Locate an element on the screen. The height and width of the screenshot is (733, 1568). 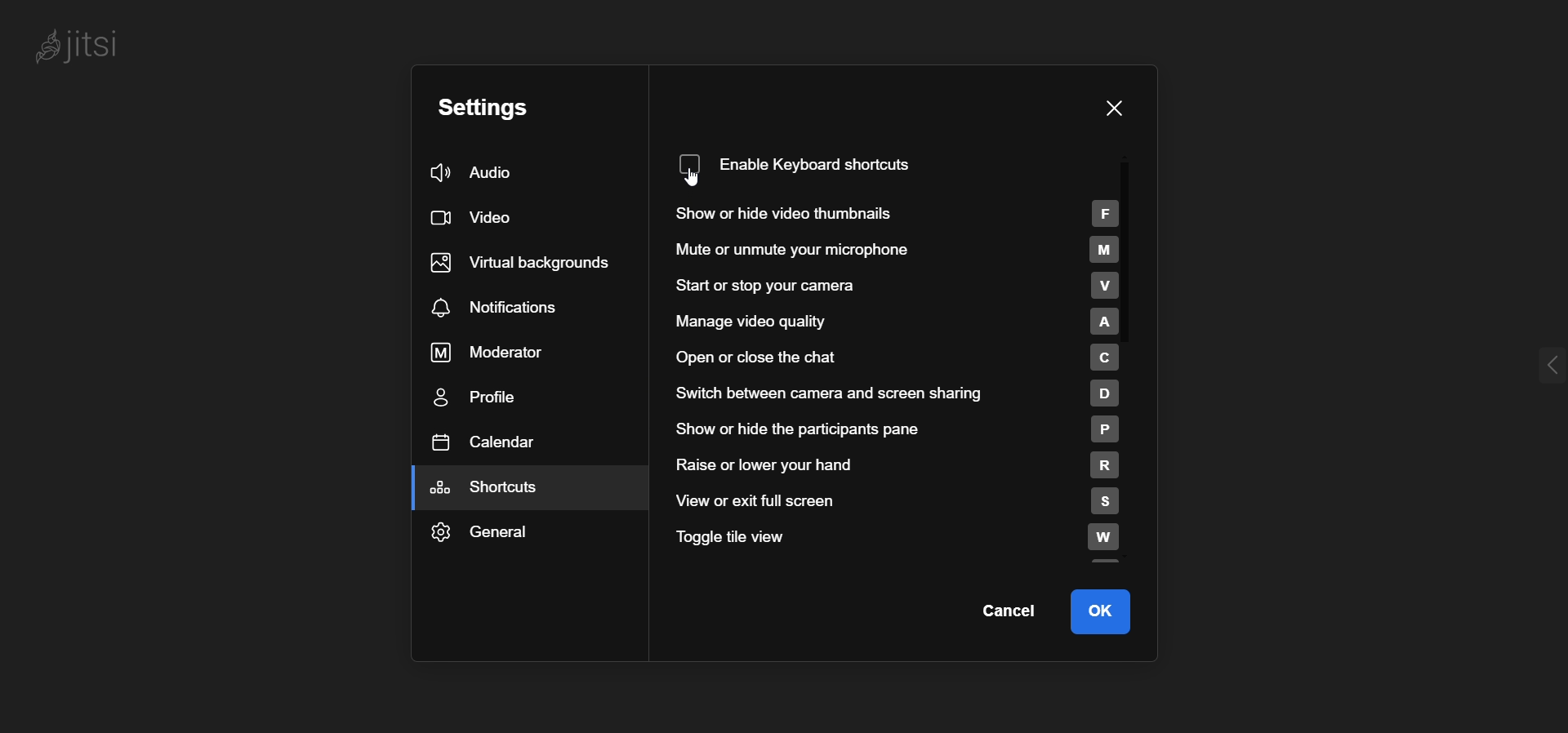
show or hide thumbnails is located at coordinates (902, 212).